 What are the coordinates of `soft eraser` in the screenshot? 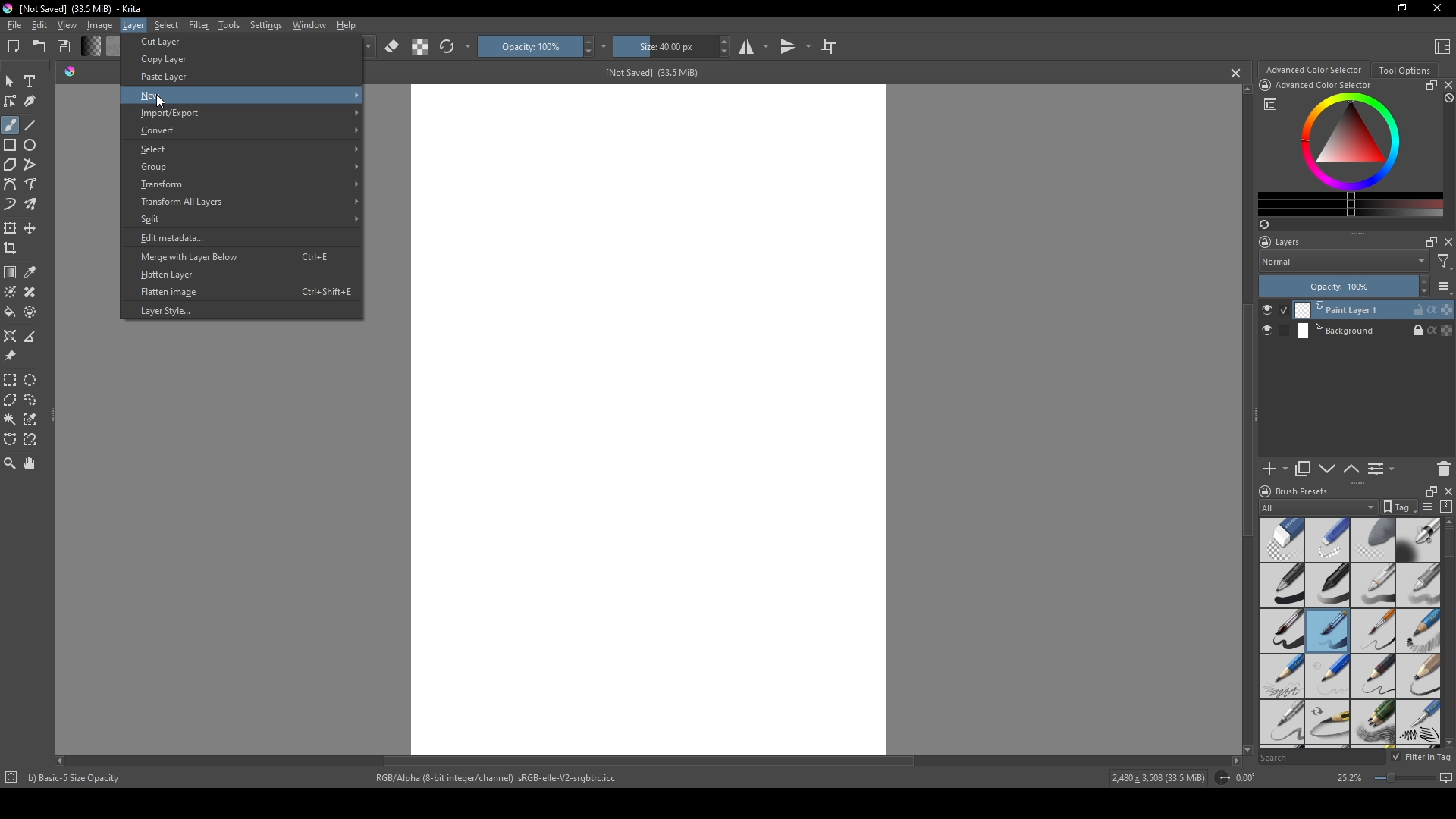 It's located at (1373, 539).